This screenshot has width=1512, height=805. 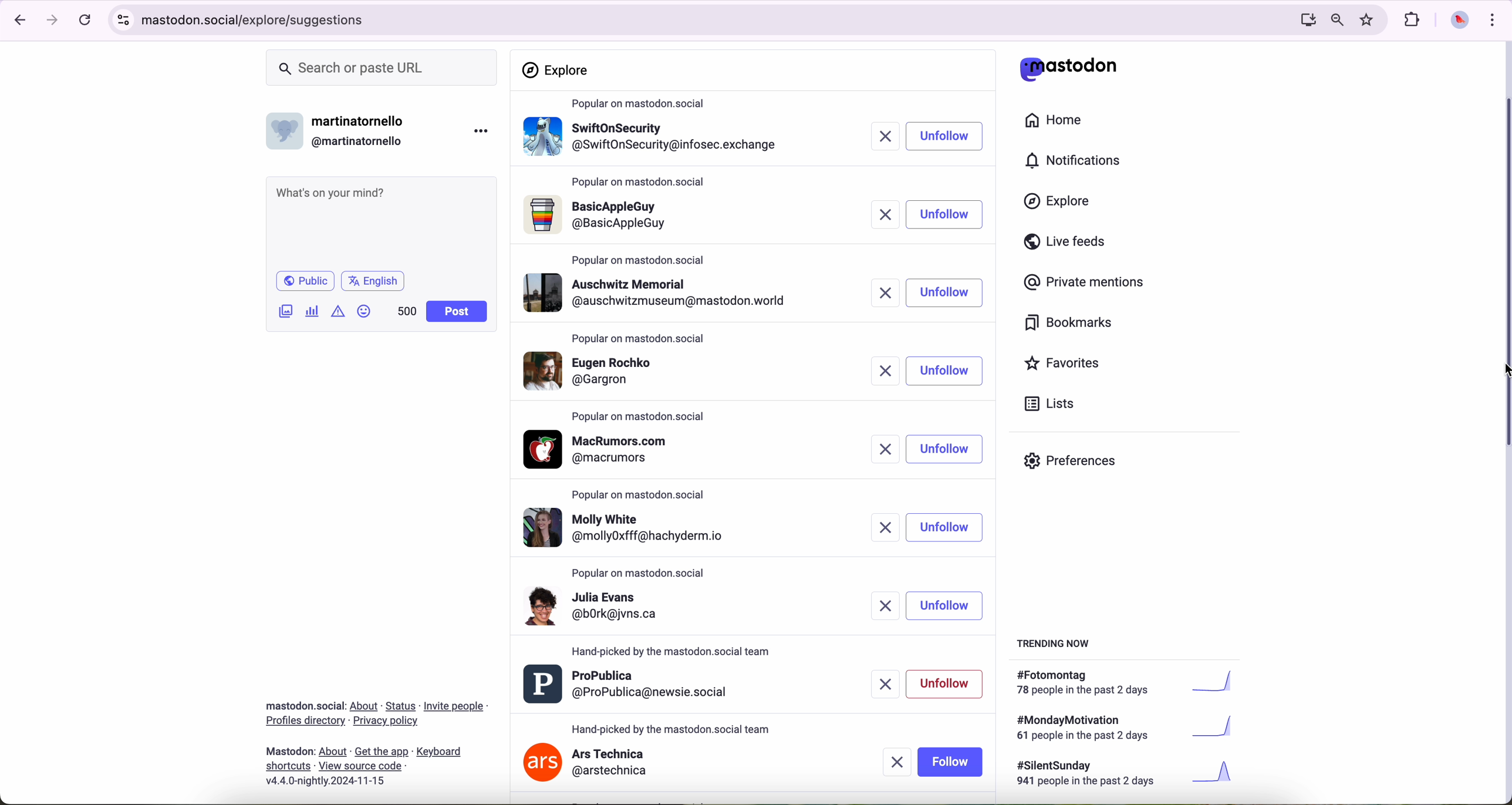 I want to click on post button, so click(x=457, y=312).